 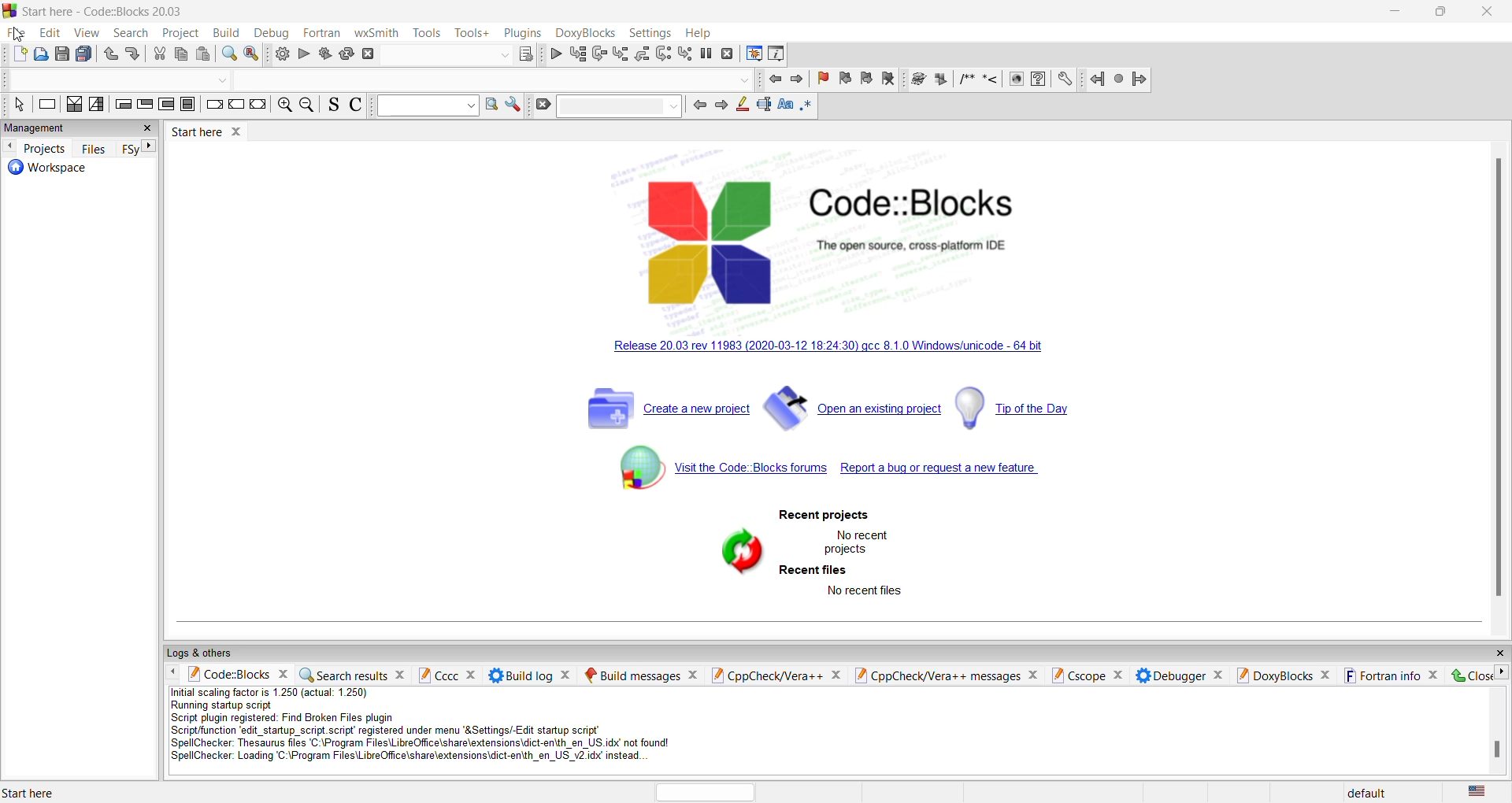 I want to click on close, so click(x=1499, y=653).